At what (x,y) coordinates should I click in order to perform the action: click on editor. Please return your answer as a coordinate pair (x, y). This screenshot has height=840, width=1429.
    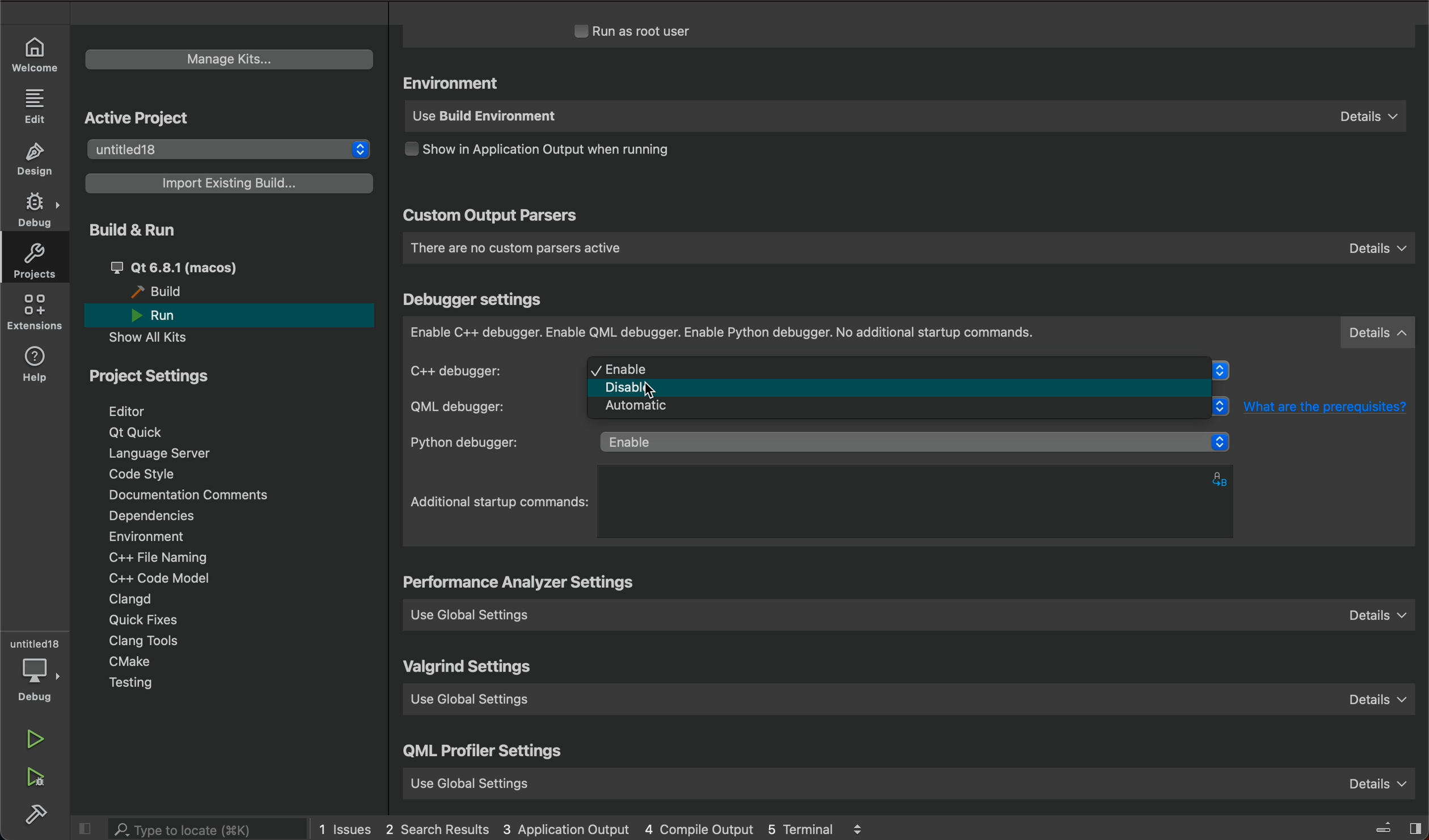
    Looking at the image, I should click on (130, 411).